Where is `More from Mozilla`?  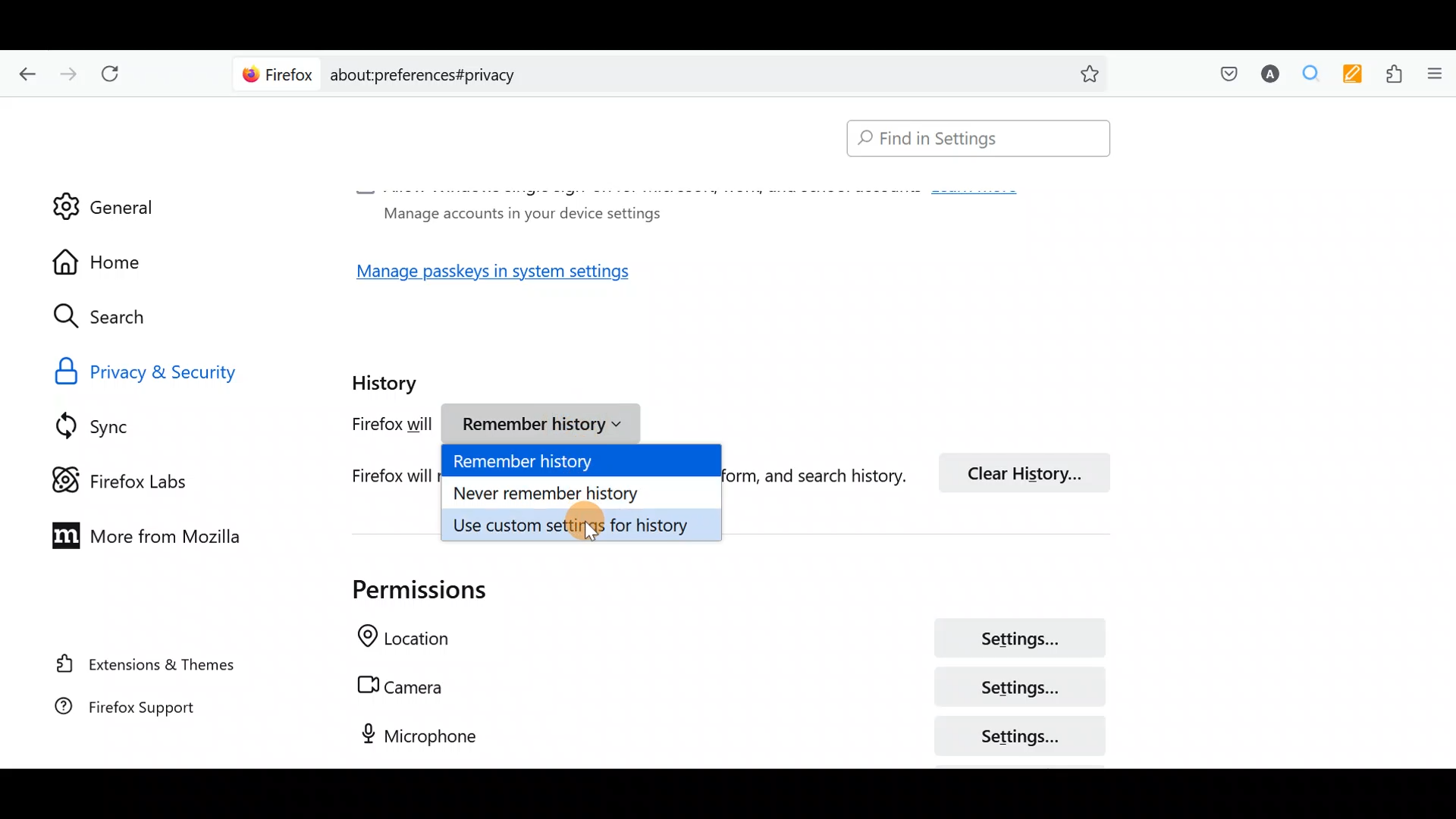 More from Mozilla is located at coordinates (139, 534).